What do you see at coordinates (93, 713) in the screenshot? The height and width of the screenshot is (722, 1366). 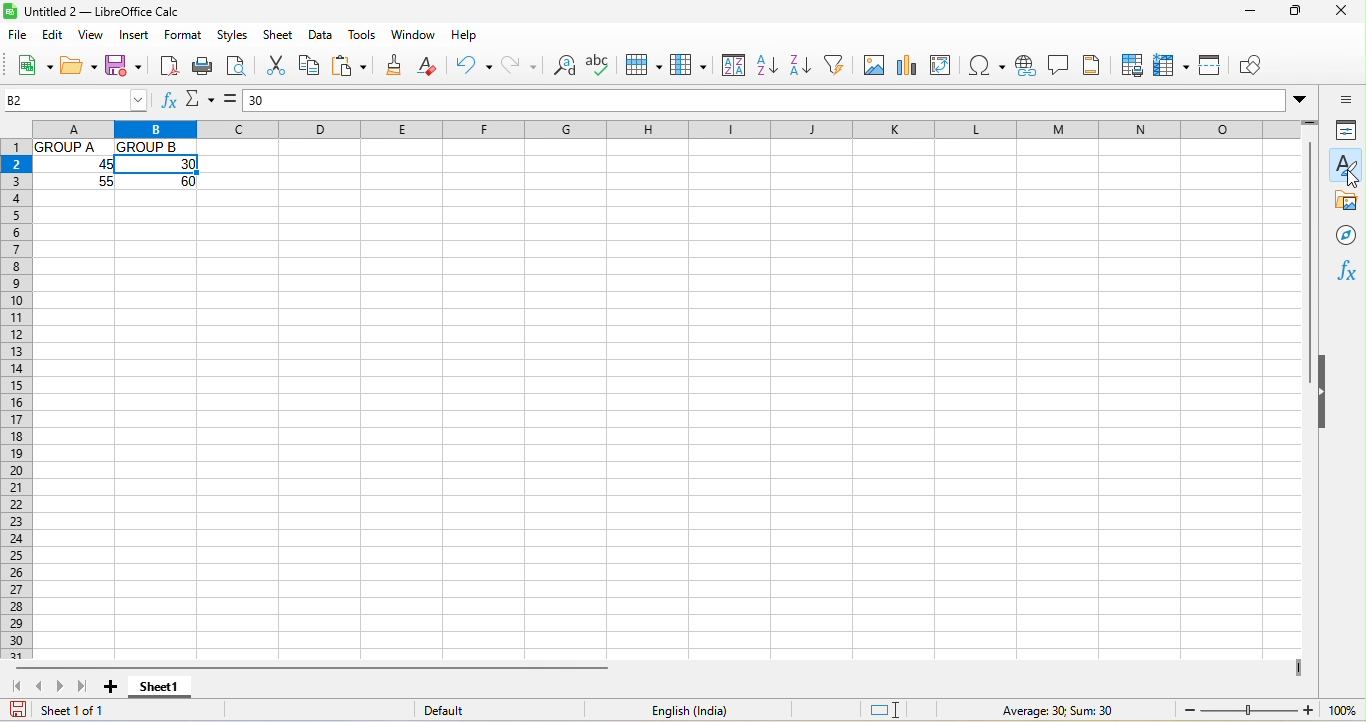 I see `sheet 1 of 1` at bounding box center [93, 713].